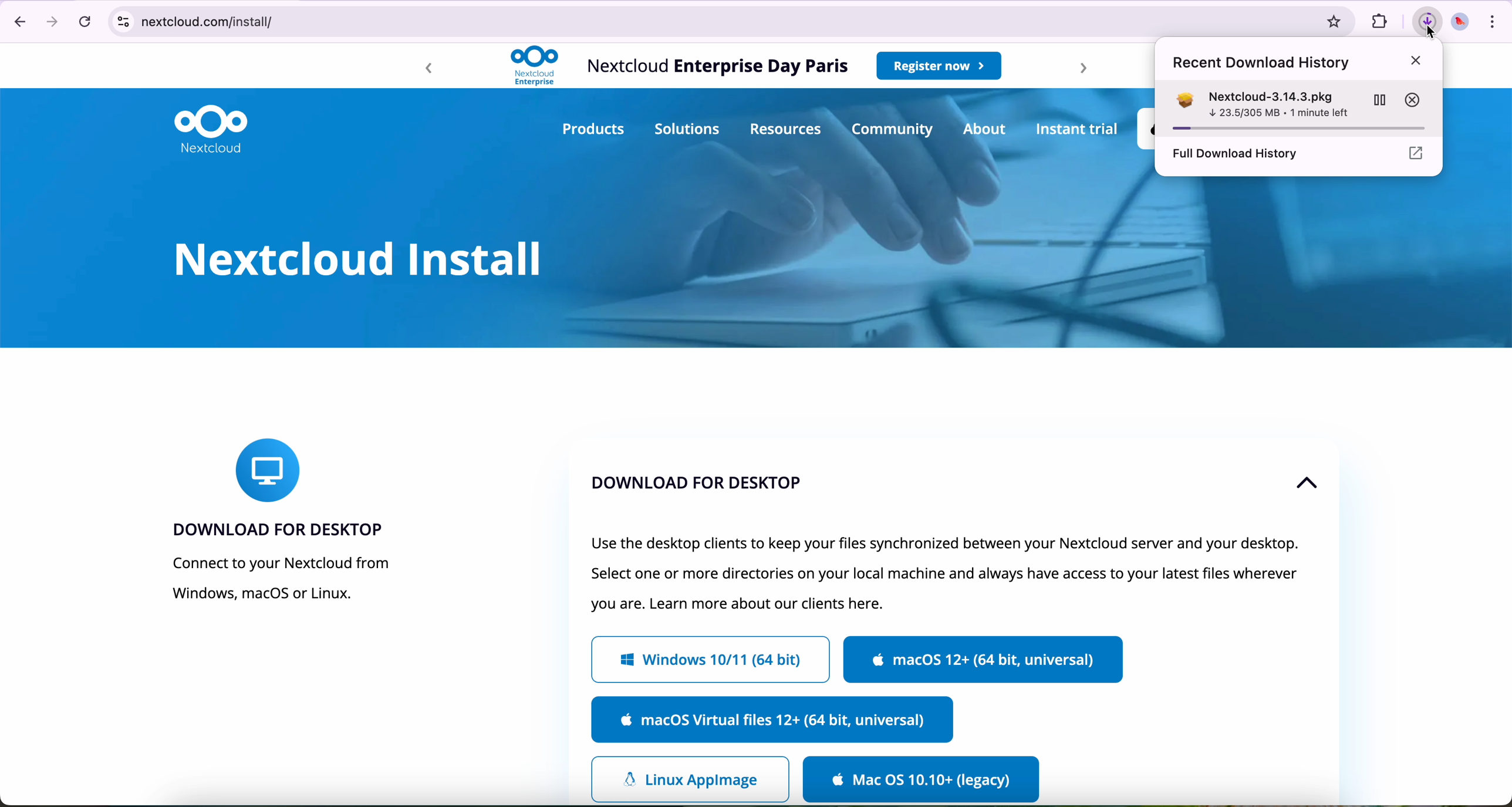 The height and width of the screenshot is (807, 1512). I want to click on favorites, so click(1329, 20).